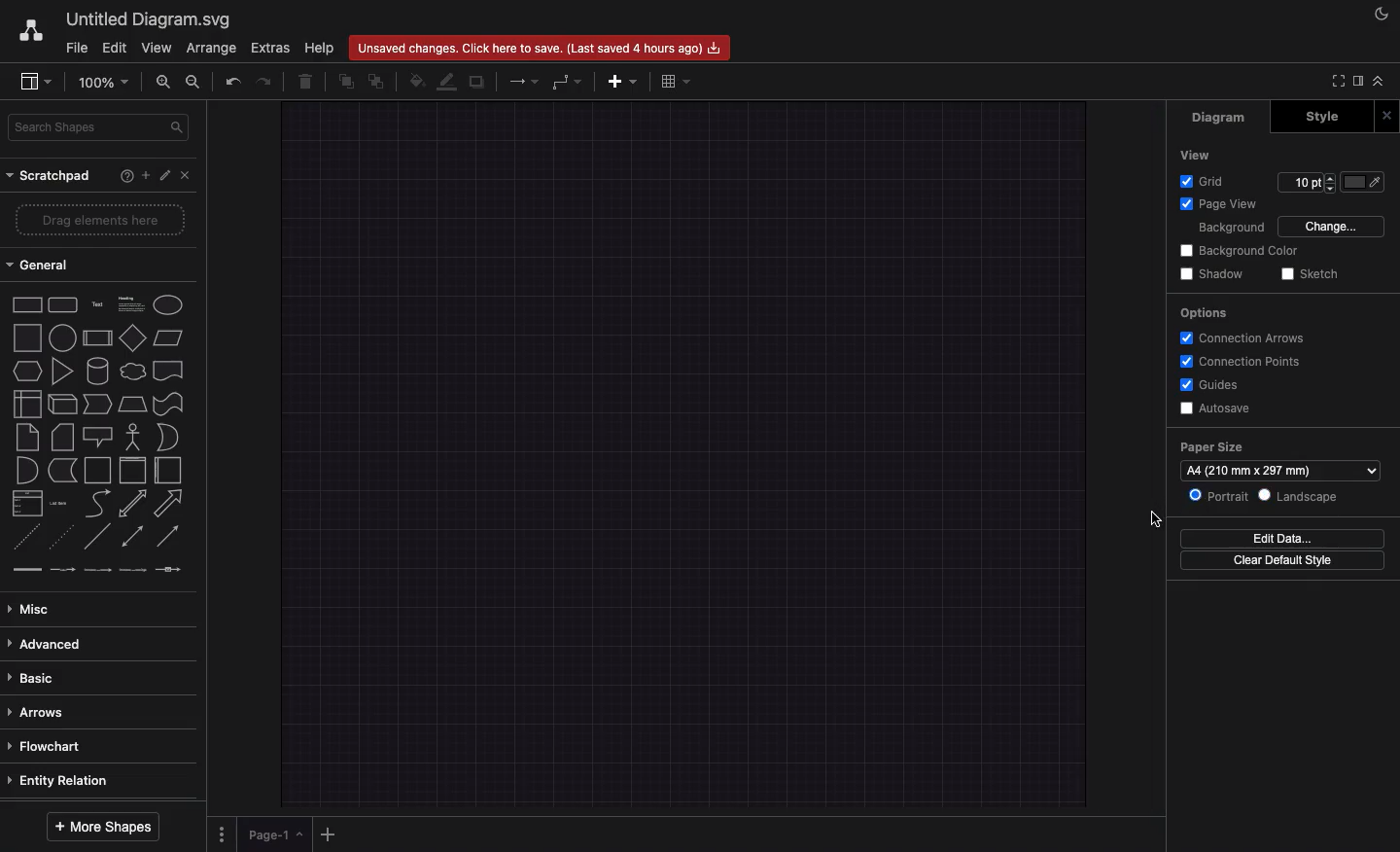 The height and width of the screenshot is (852, 1400). Describe the element at coordinates (480, 83) in the screenshot. I see `Duplicate` at that location.